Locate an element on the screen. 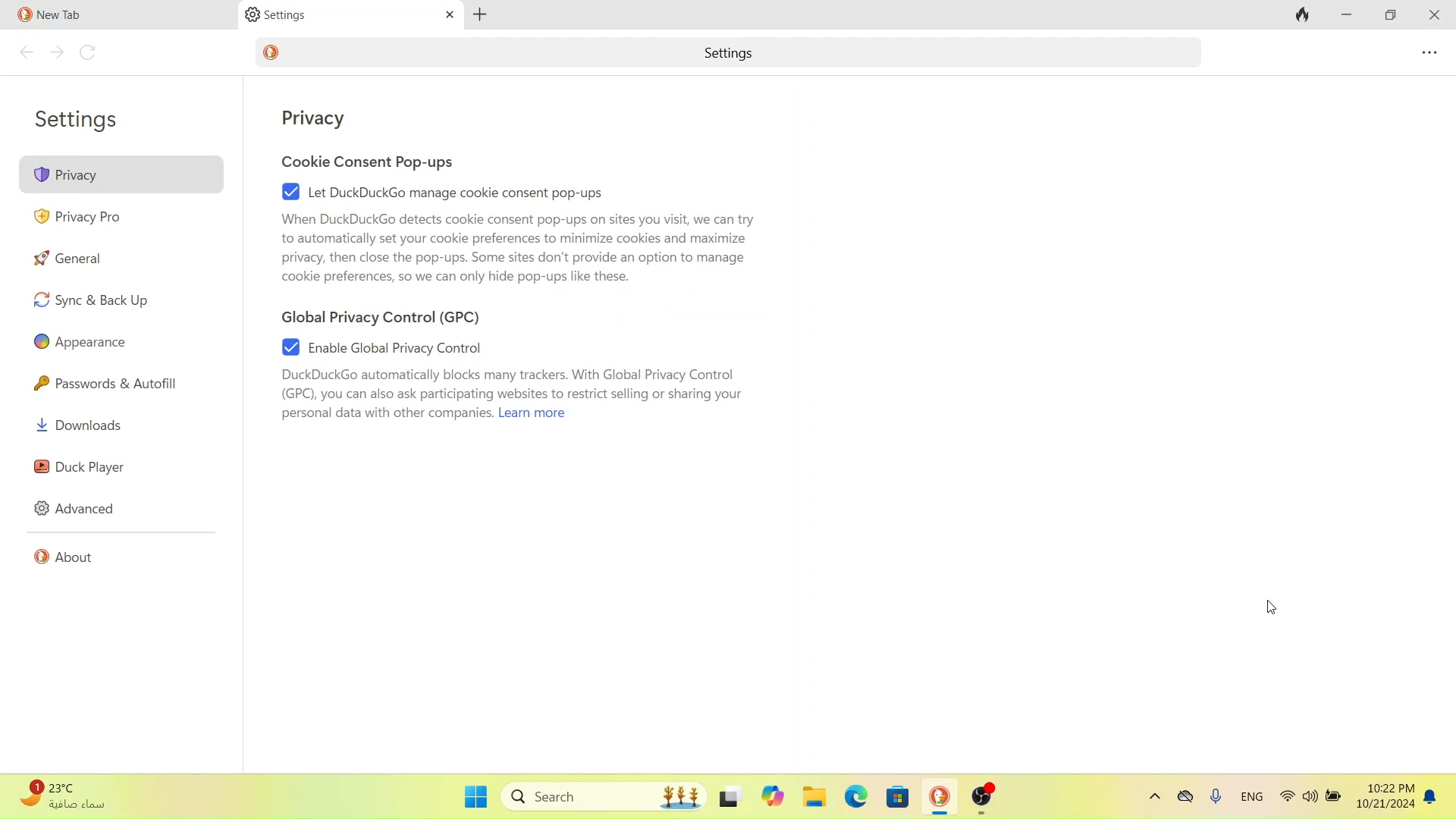  windows store is located at coordinates (897, 800).